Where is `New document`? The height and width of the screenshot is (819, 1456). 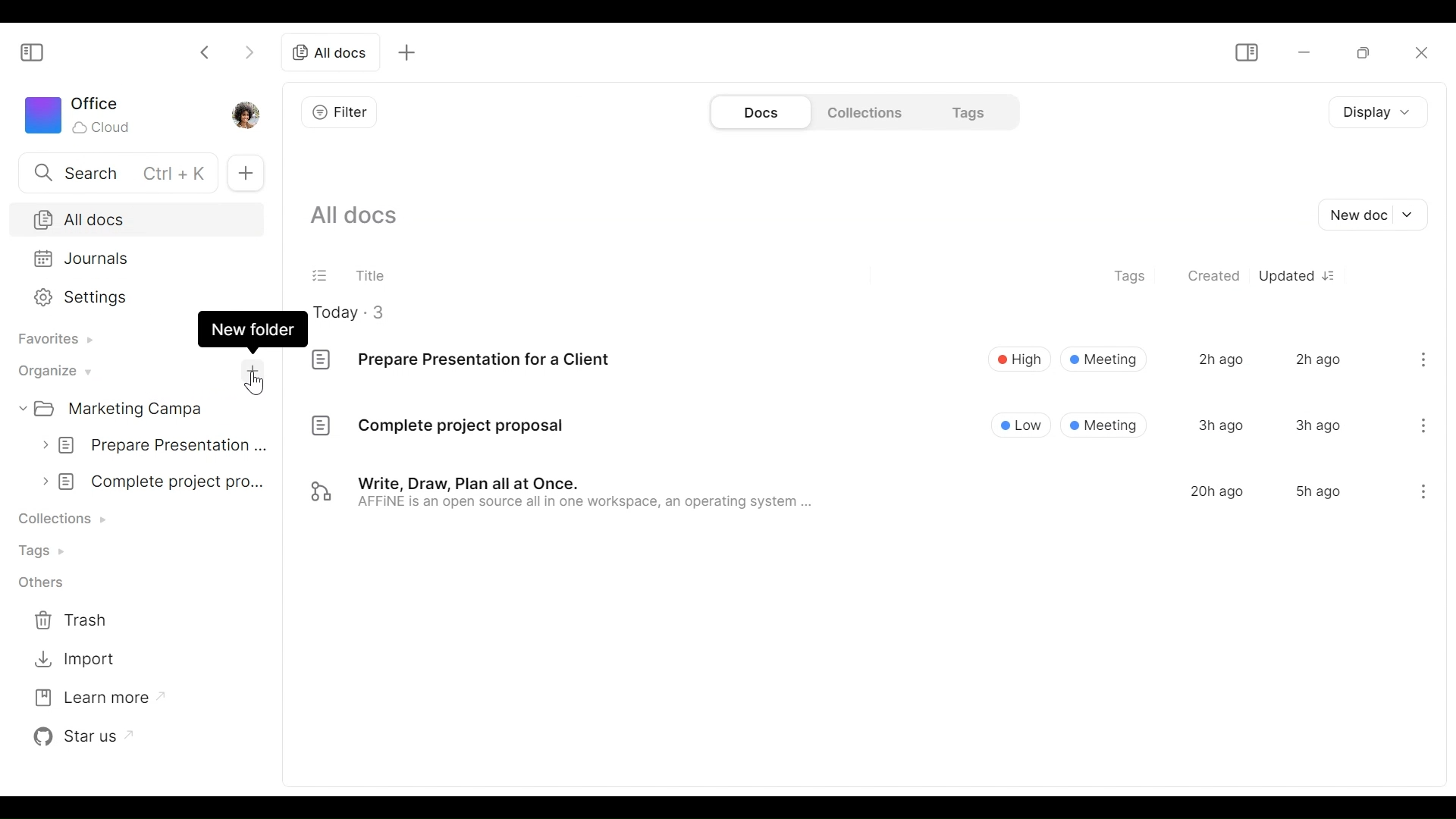
New document is located at coordinates (1376, 215).